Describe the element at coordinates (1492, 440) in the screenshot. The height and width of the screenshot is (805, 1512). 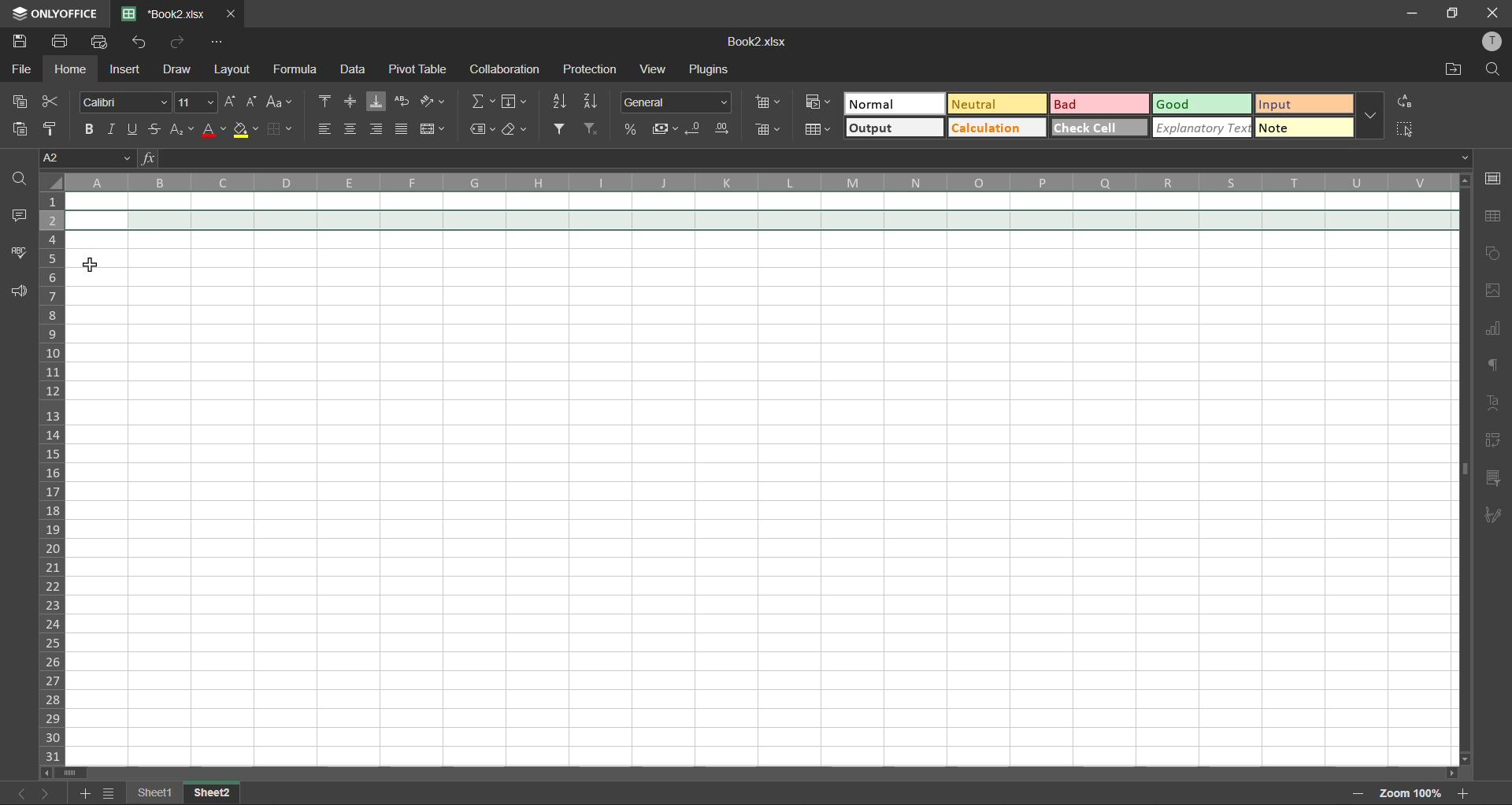
I see `pivot table` at that location.